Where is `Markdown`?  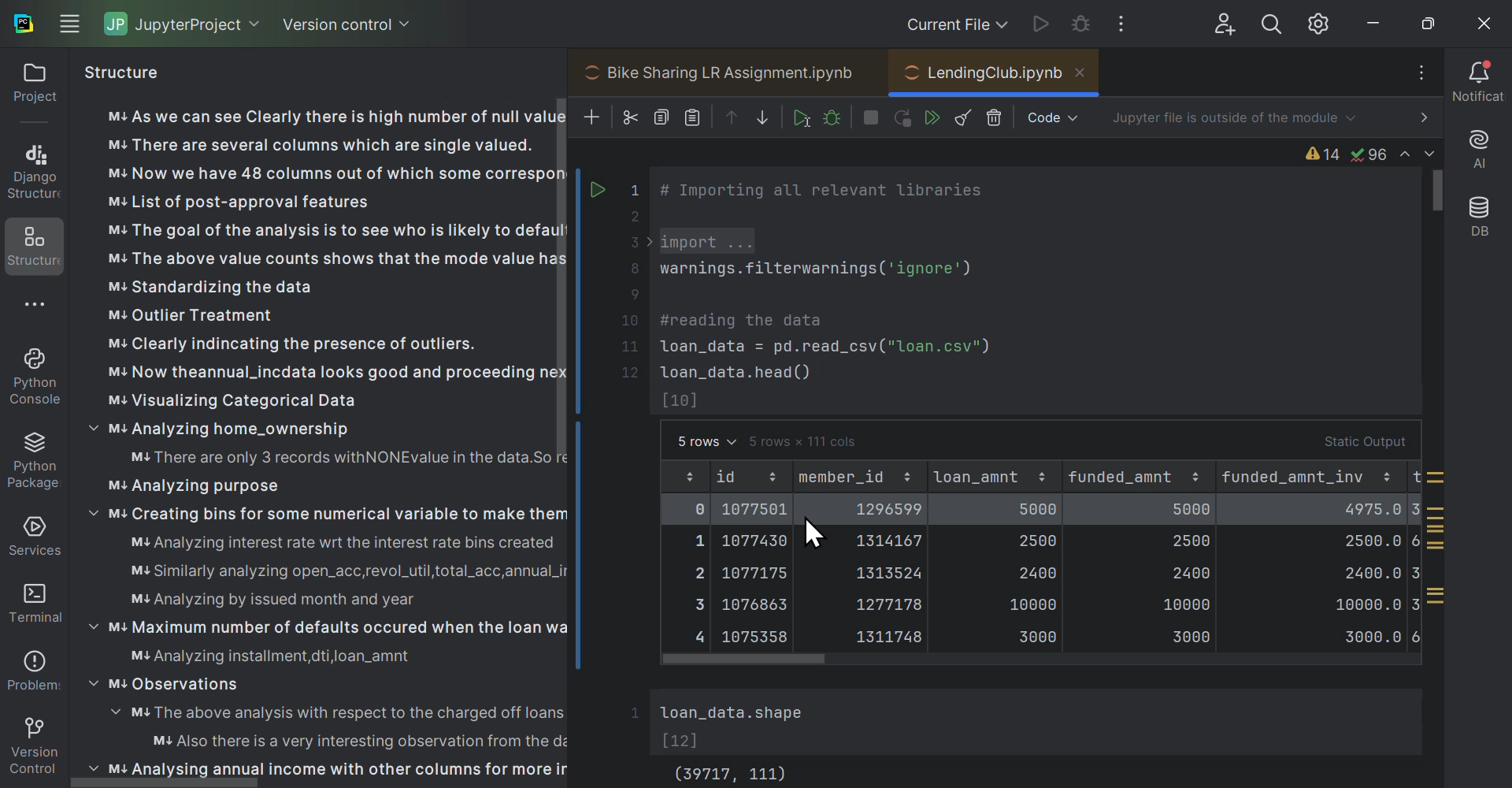
Markdown is located at coordinates (1060, 118).